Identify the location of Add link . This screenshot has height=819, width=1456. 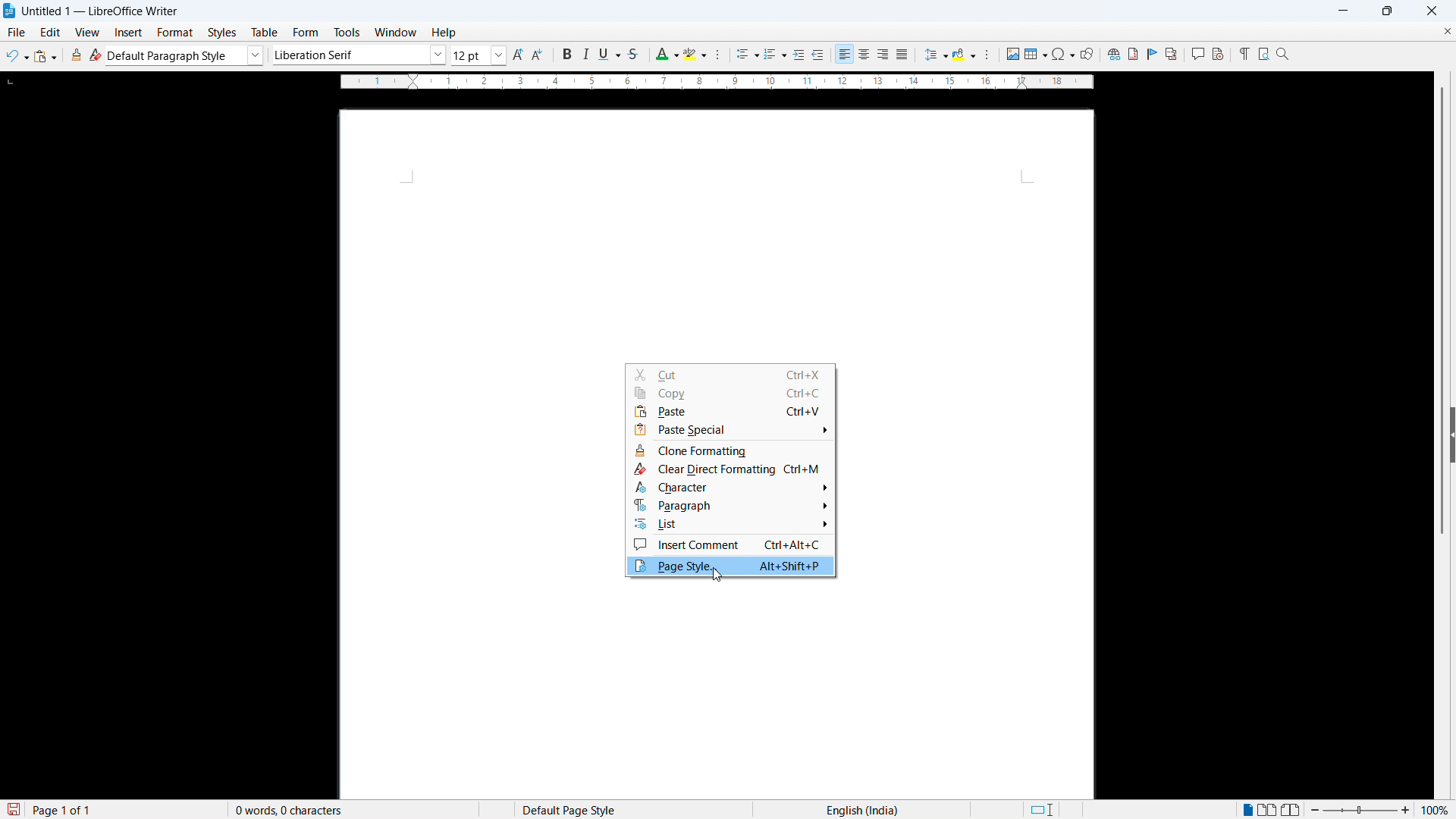
(1112, 53).